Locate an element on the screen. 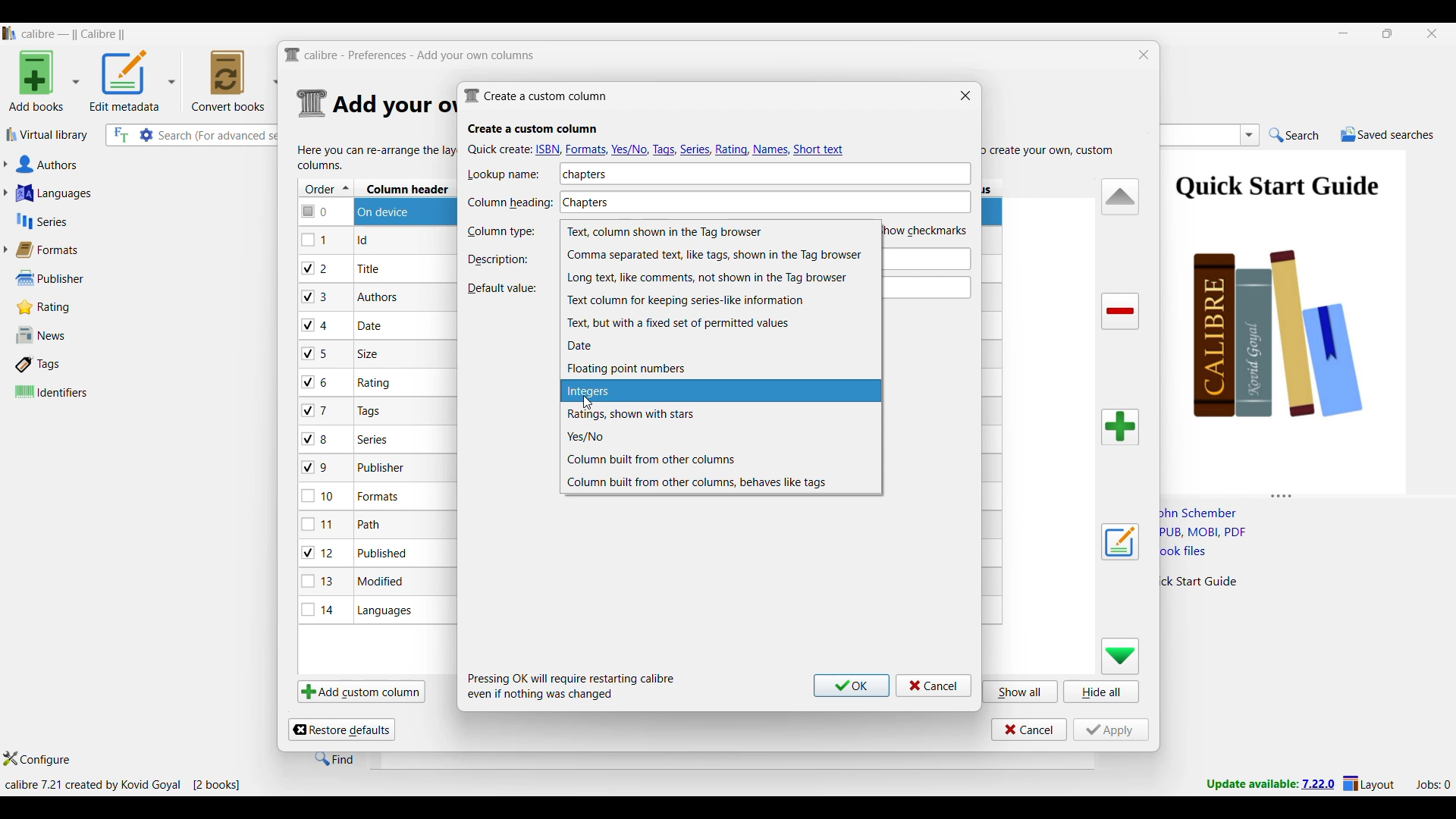 This screenshot has height=819, width=1456. Current jobs is located at coordinates (1432, 785).